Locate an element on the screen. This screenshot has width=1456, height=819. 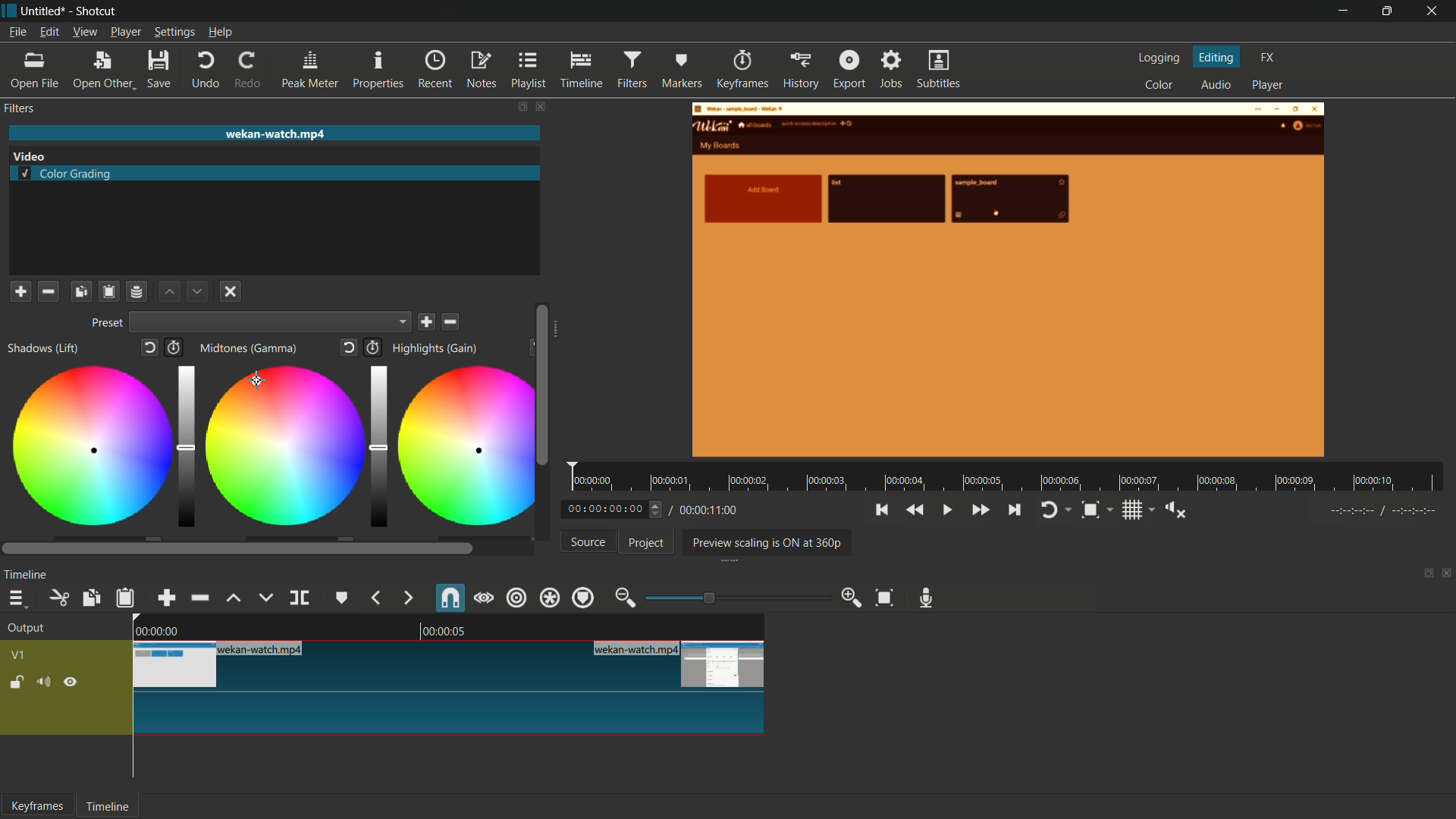
color adjustment is located at coordinates (461, 447).